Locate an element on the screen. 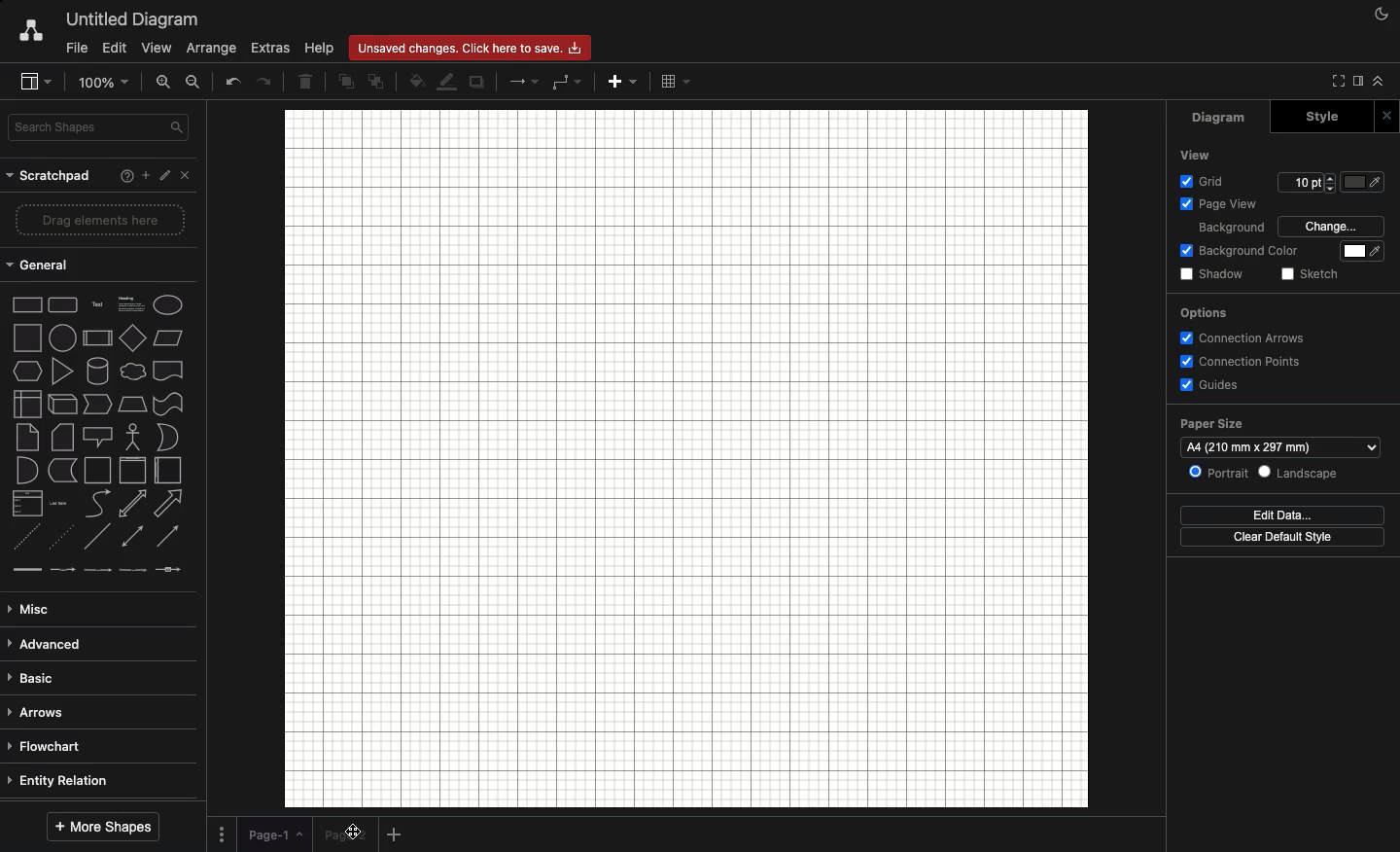  Zoom out is located at coordinates (193, 84).